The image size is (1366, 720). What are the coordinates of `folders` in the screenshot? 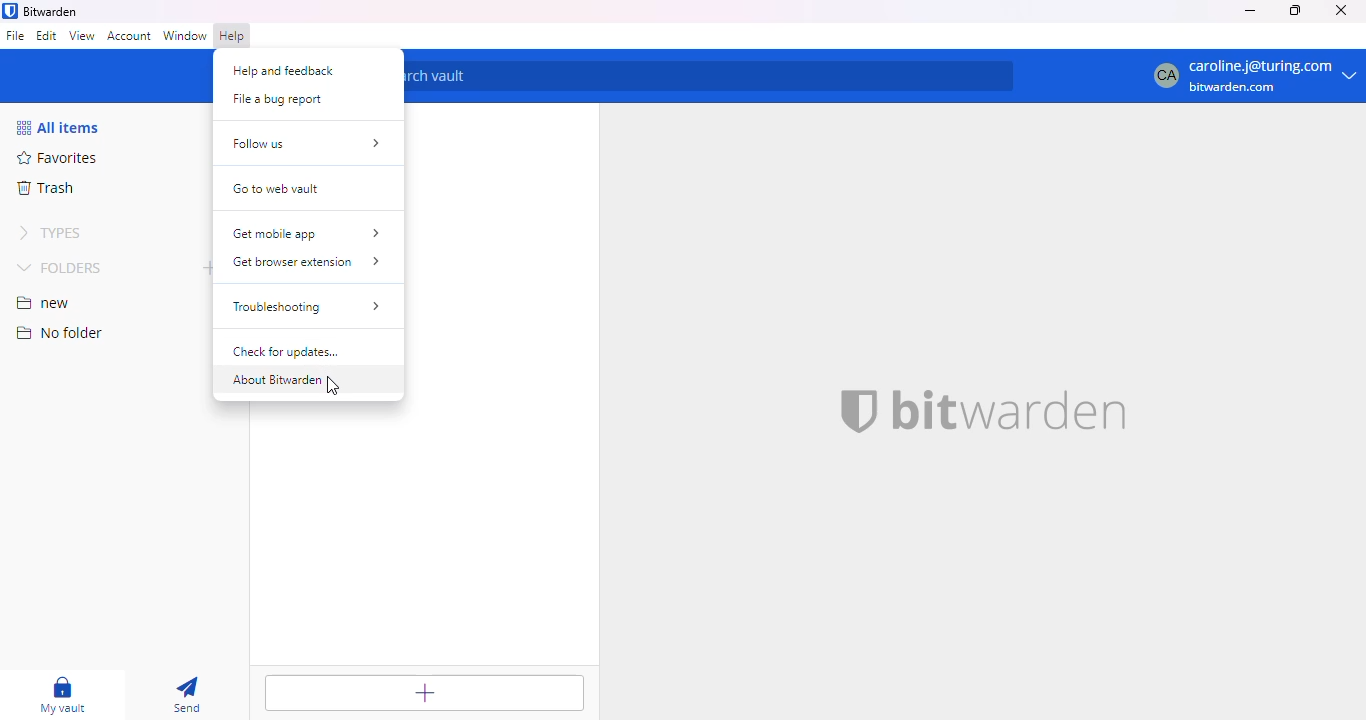 It's located at (60, 267).